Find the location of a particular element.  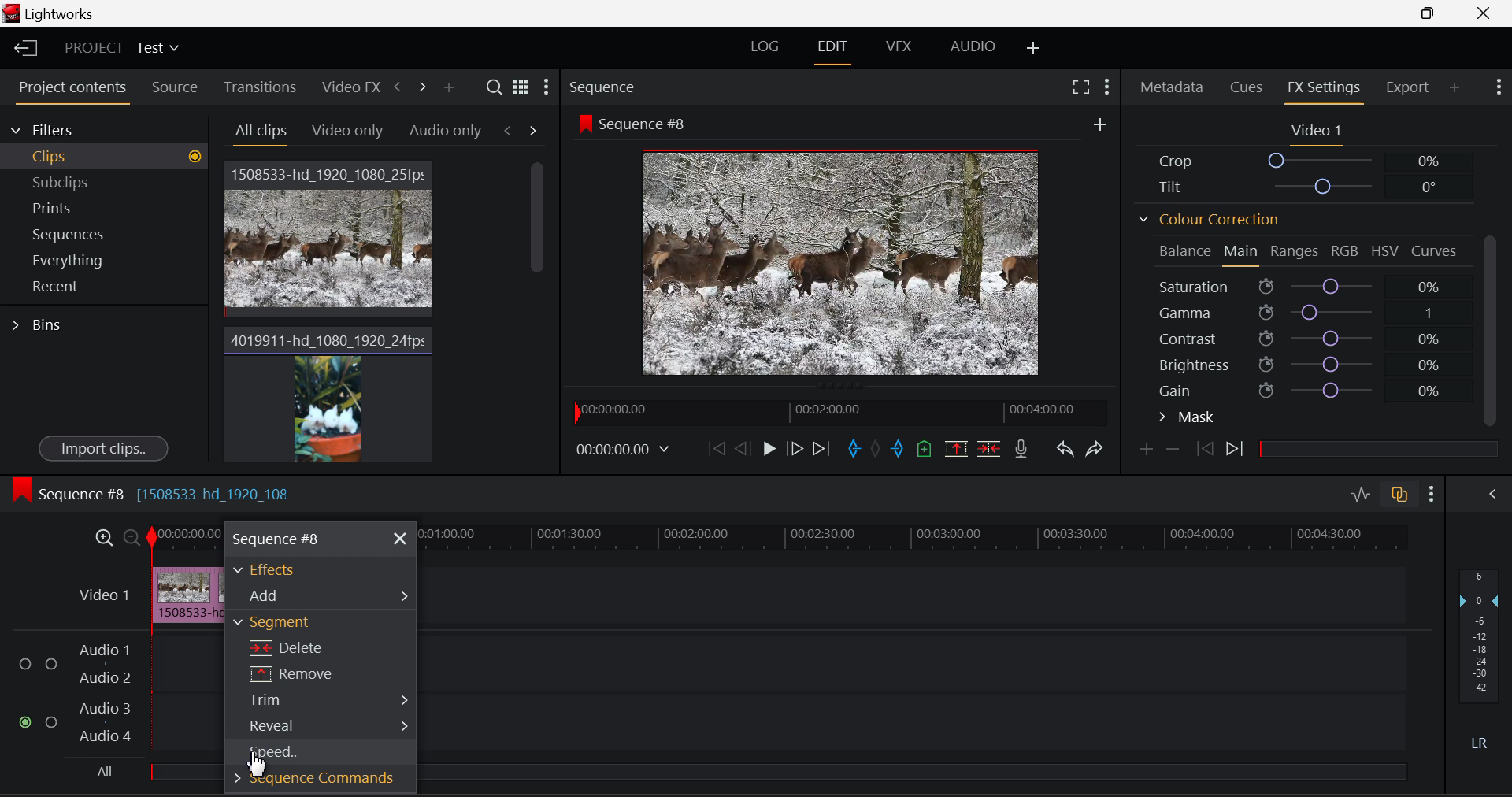

Gamma is located at coordinates (1303, 313).